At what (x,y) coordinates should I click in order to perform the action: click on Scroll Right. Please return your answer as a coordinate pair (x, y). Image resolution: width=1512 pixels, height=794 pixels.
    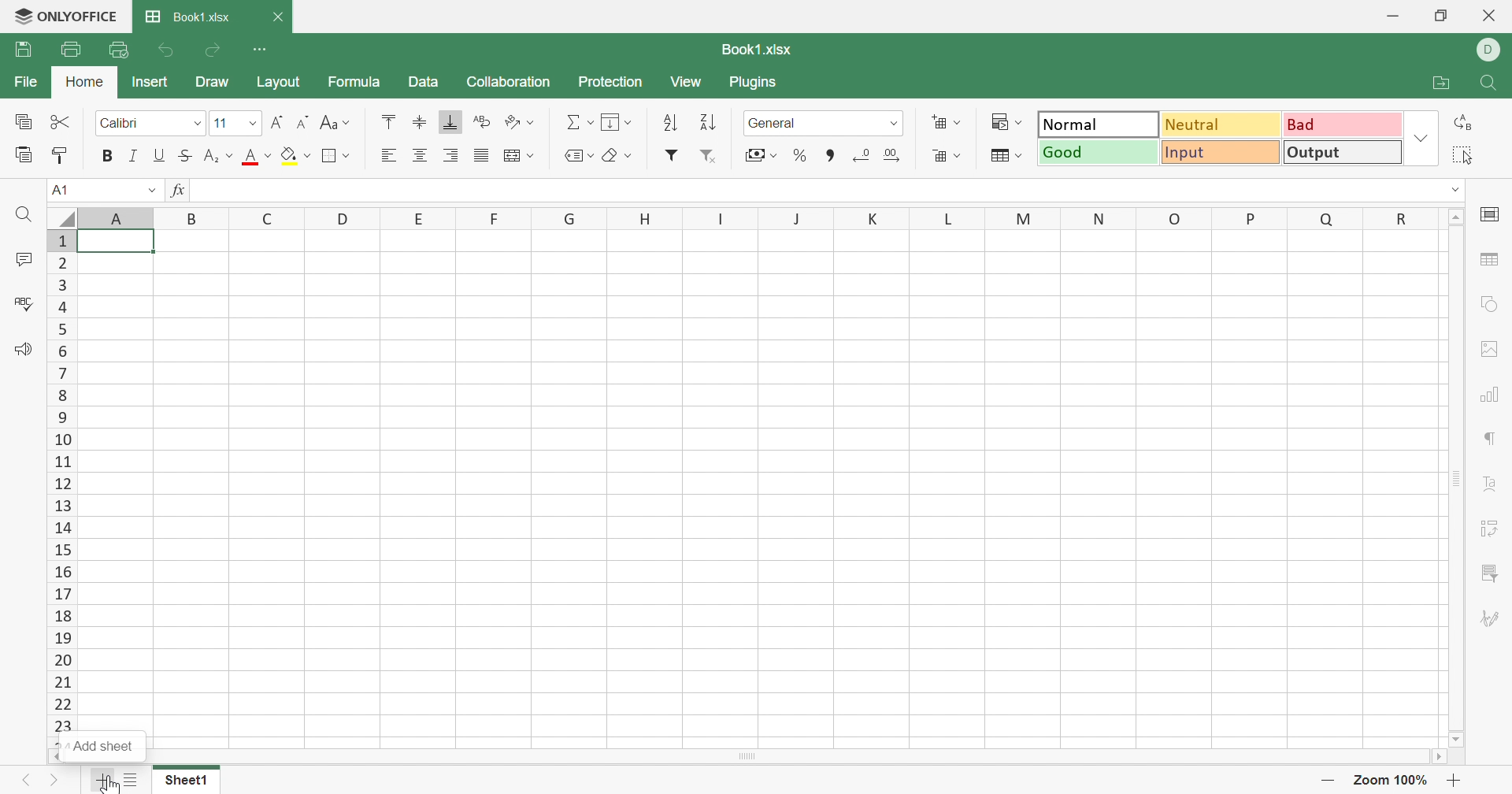
    Looking at the image, I should click on (1437, 756).